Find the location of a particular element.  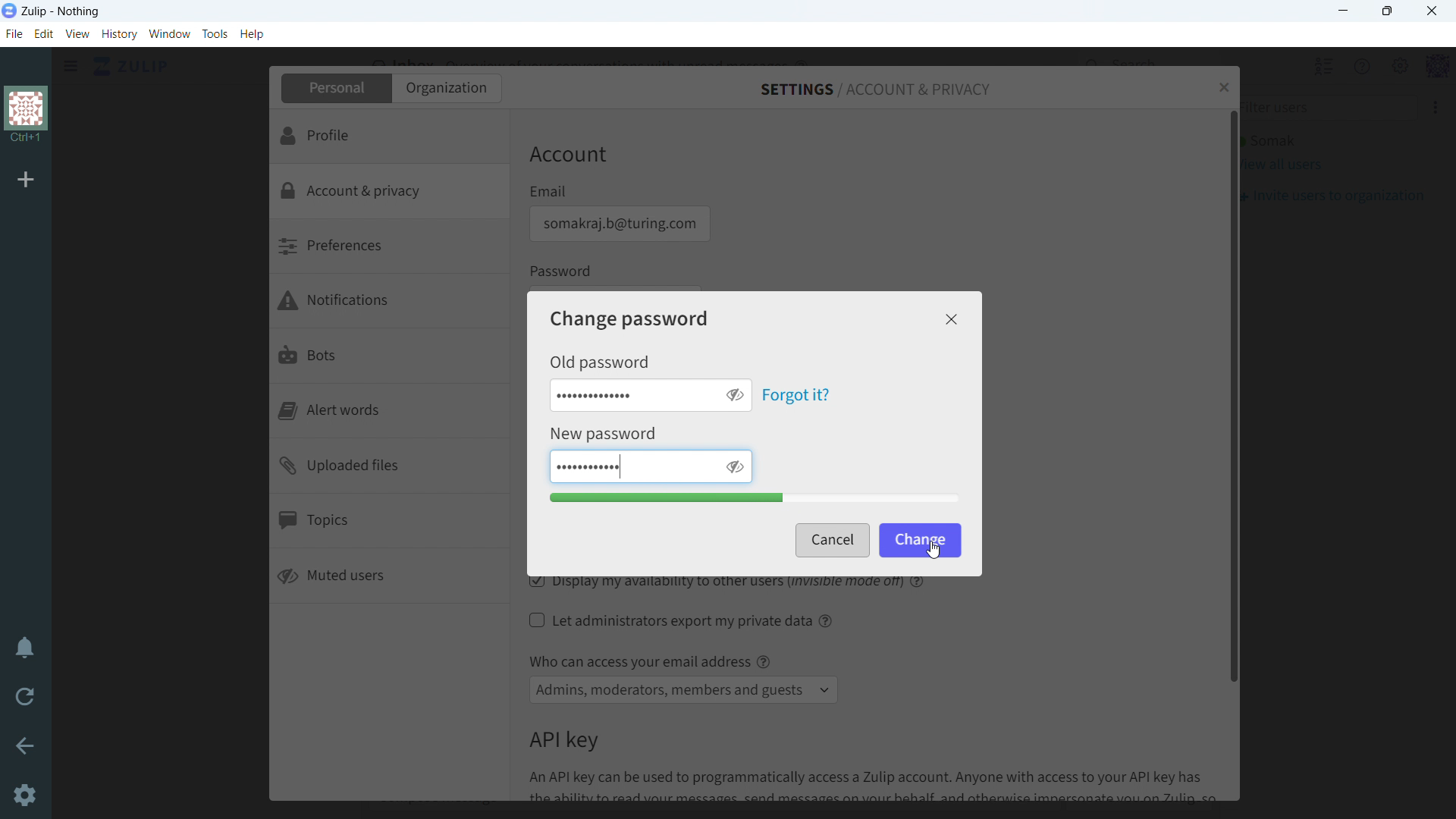

muted users is located at coordinates (390, 577).